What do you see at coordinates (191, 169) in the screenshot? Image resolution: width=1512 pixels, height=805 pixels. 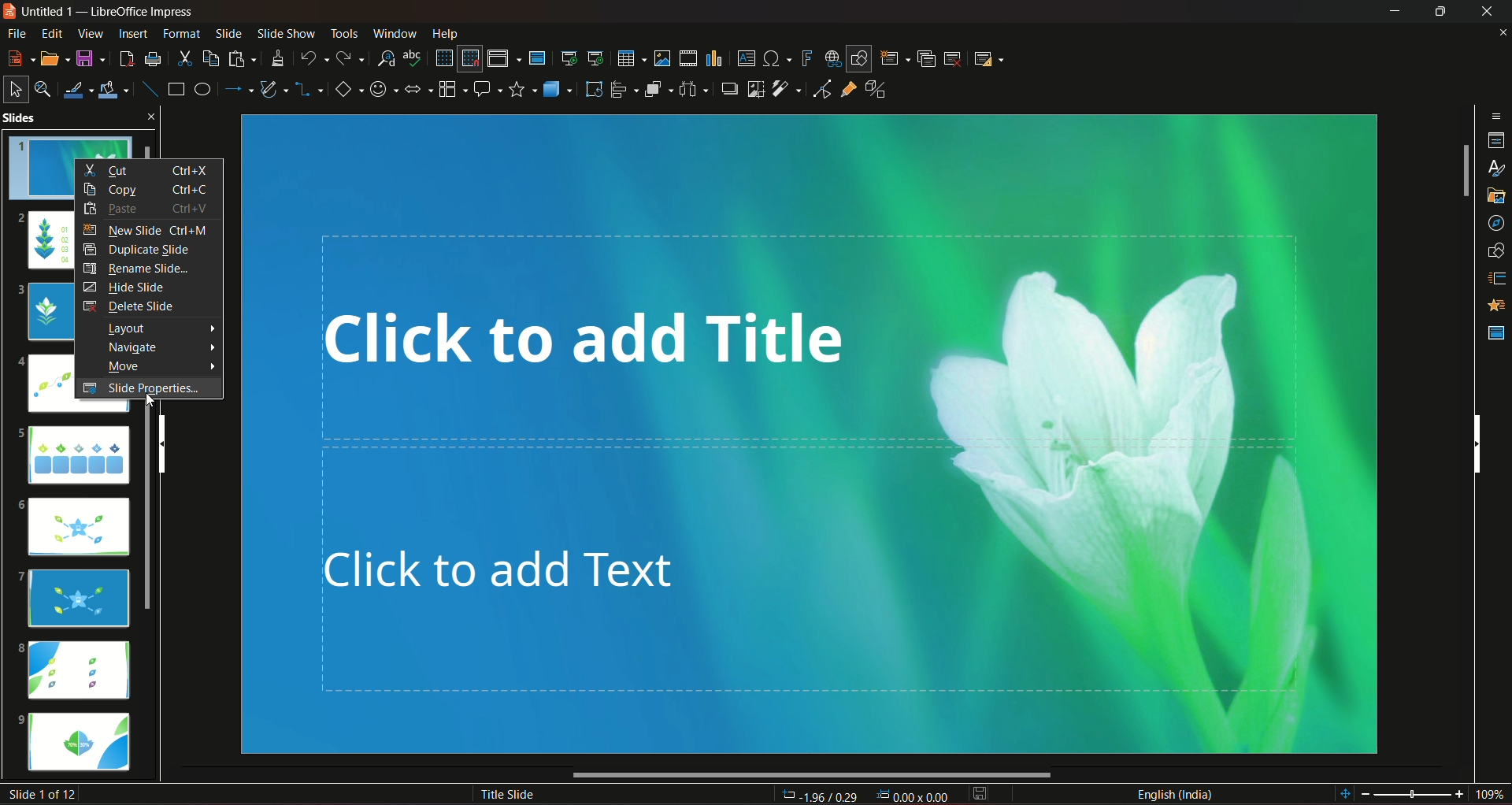 I see `ctrl+x` at bounding box center [191, 169].